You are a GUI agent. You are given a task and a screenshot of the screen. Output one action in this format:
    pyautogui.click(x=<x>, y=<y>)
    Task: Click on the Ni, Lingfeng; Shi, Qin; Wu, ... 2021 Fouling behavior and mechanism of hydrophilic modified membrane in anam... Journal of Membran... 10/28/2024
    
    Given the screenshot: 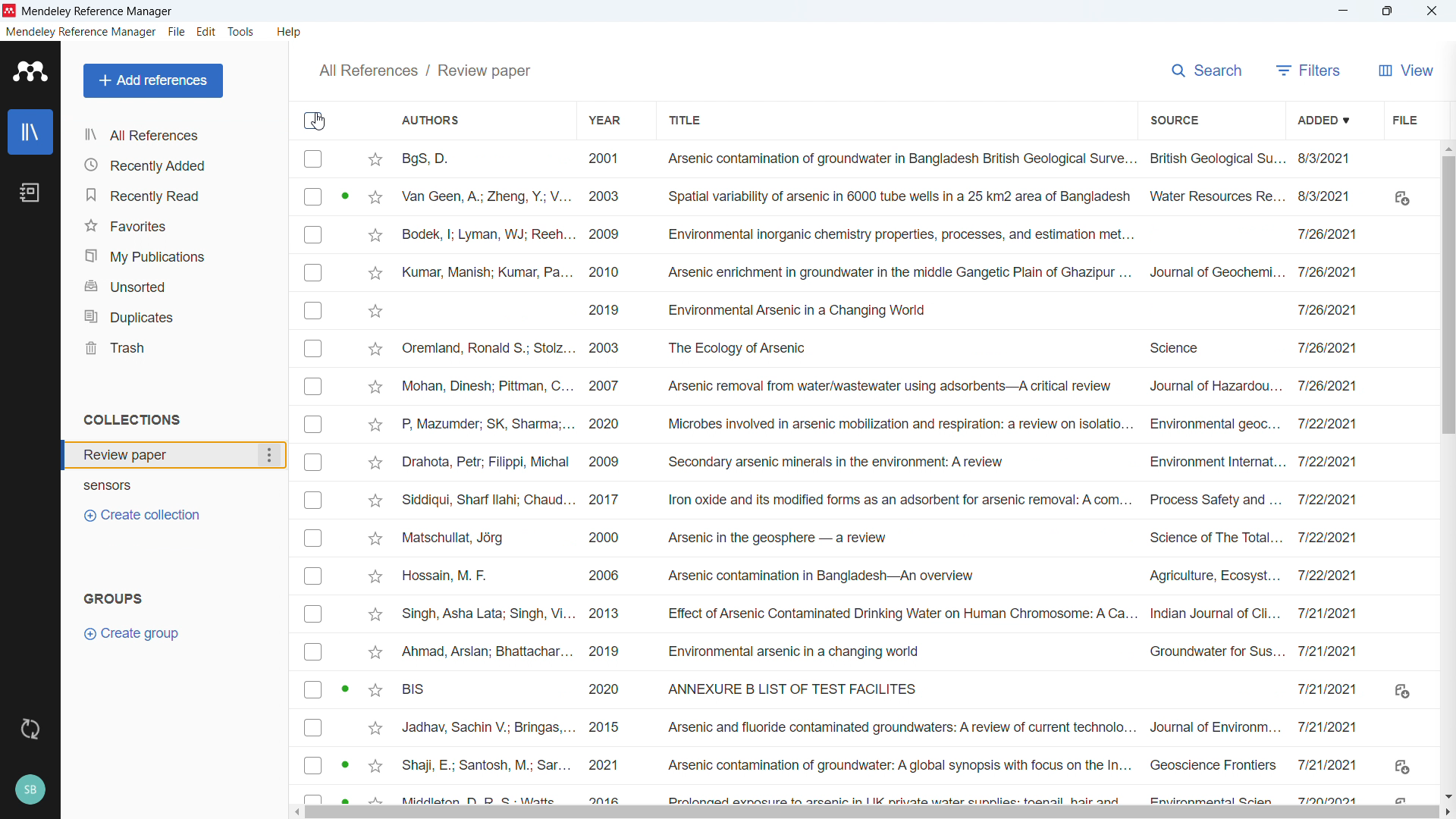 What is the action you would take?
    pyautogui.click(x=886, y=271)
    